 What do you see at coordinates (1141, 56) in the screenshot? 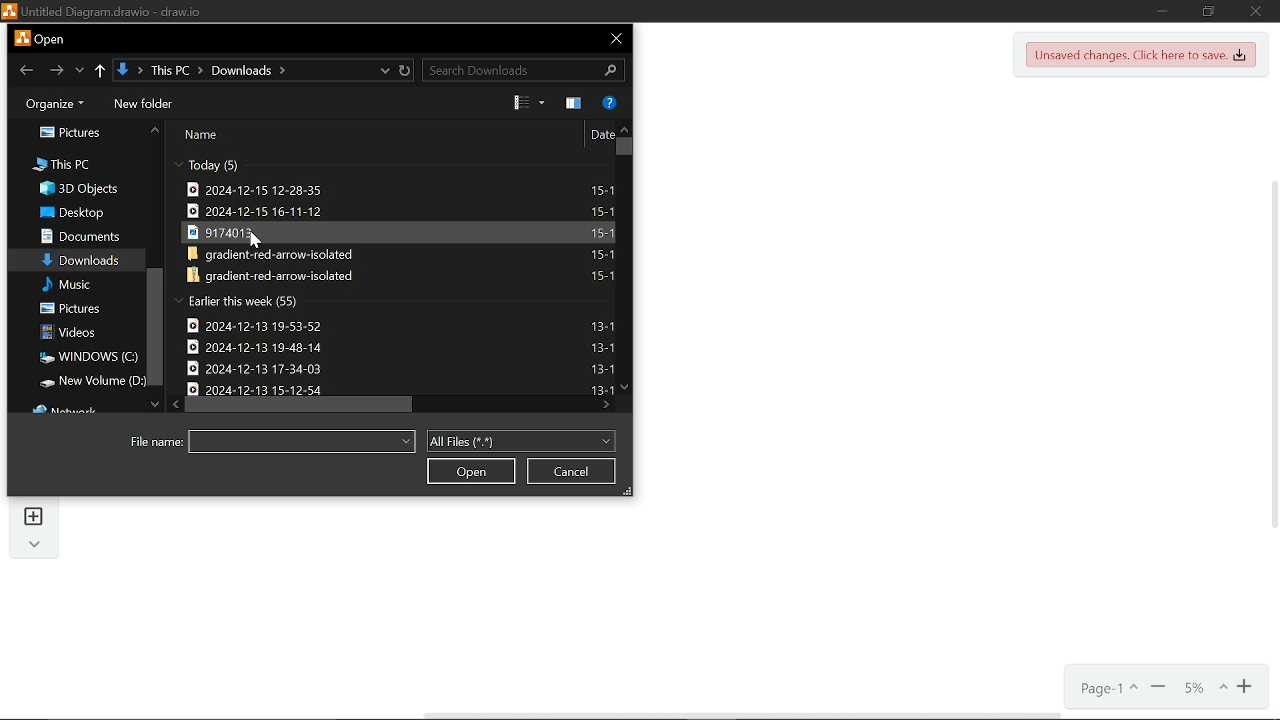
I see `UNsaved changes. Click here to save` at bounding box center [1141, 56].